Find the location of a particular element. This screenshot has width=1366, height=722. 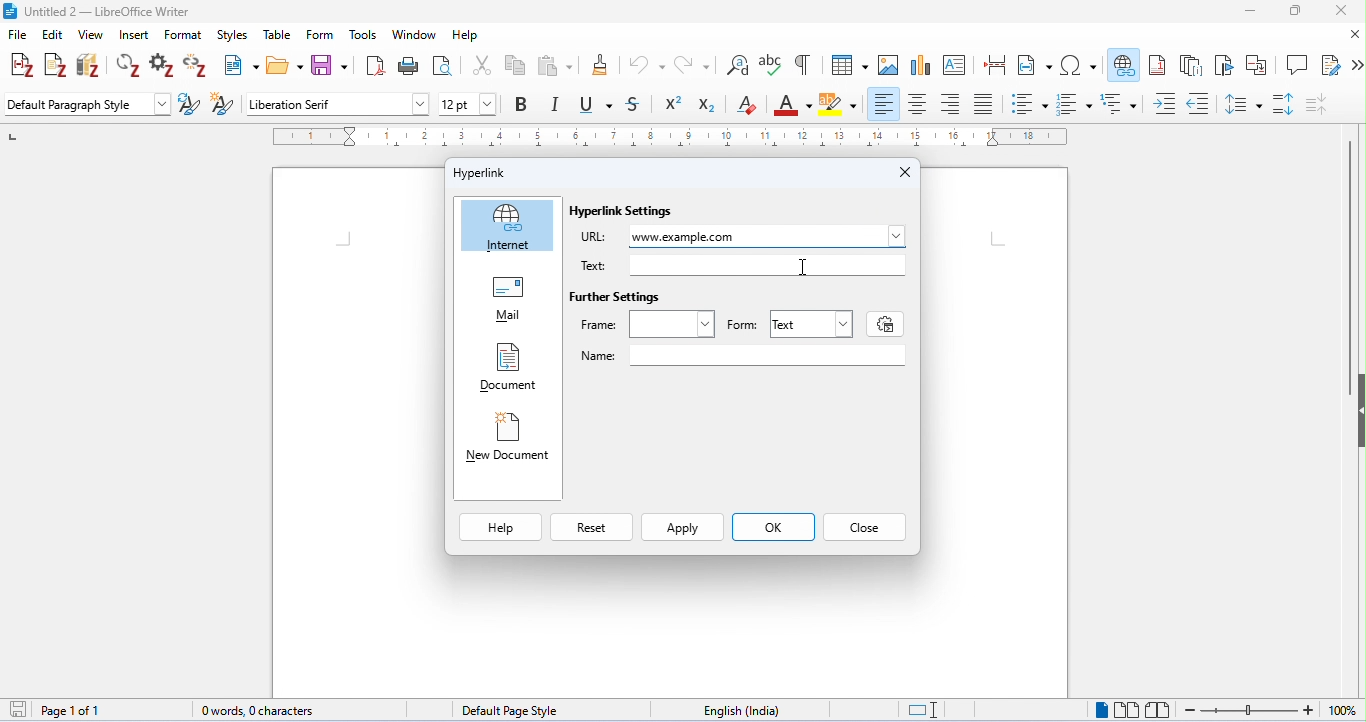

cut is located at coordinates (482, 64).